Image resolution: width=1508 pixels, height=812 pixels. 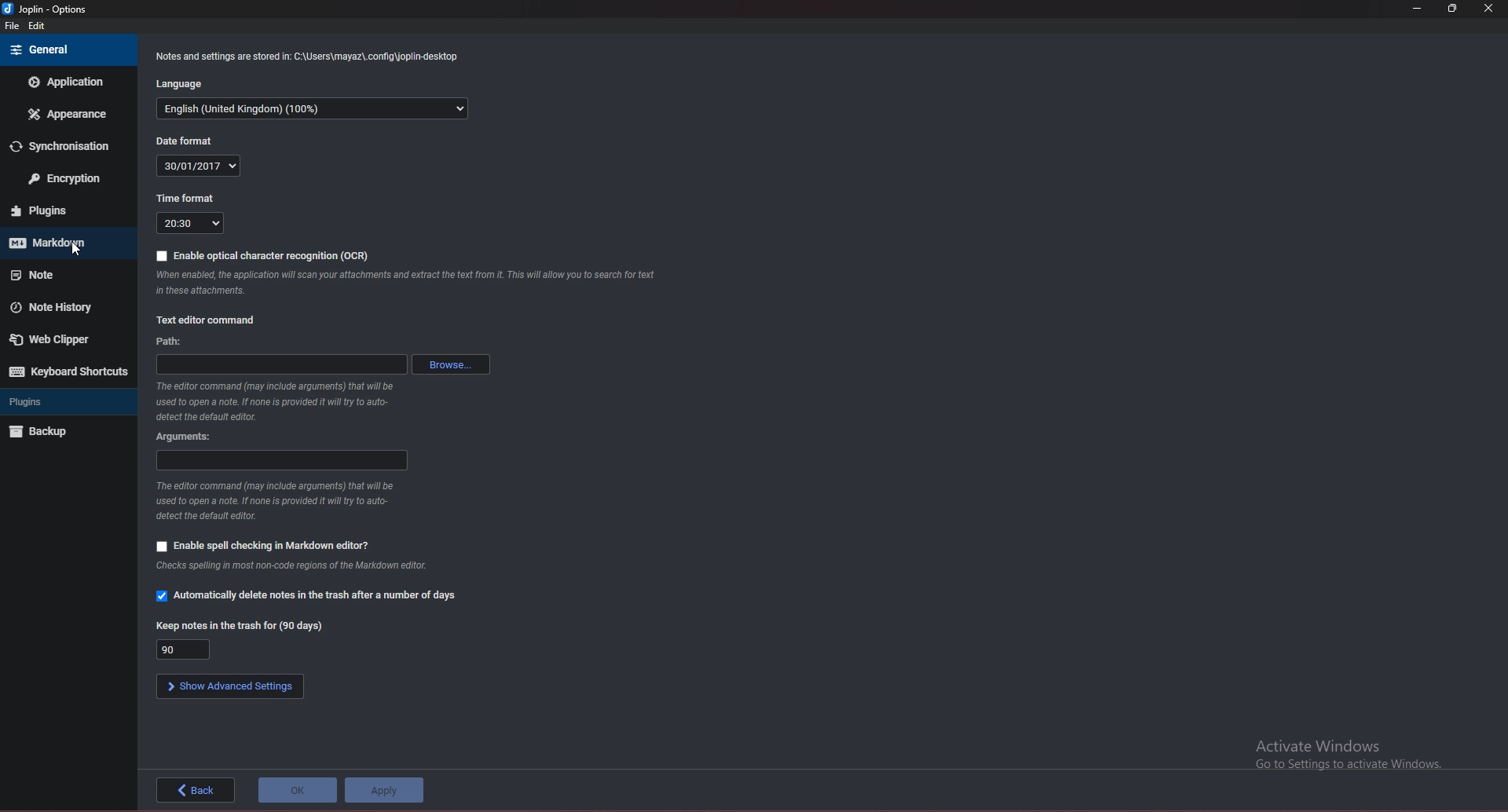 I want to click on time format, so click(x=189, y=223).